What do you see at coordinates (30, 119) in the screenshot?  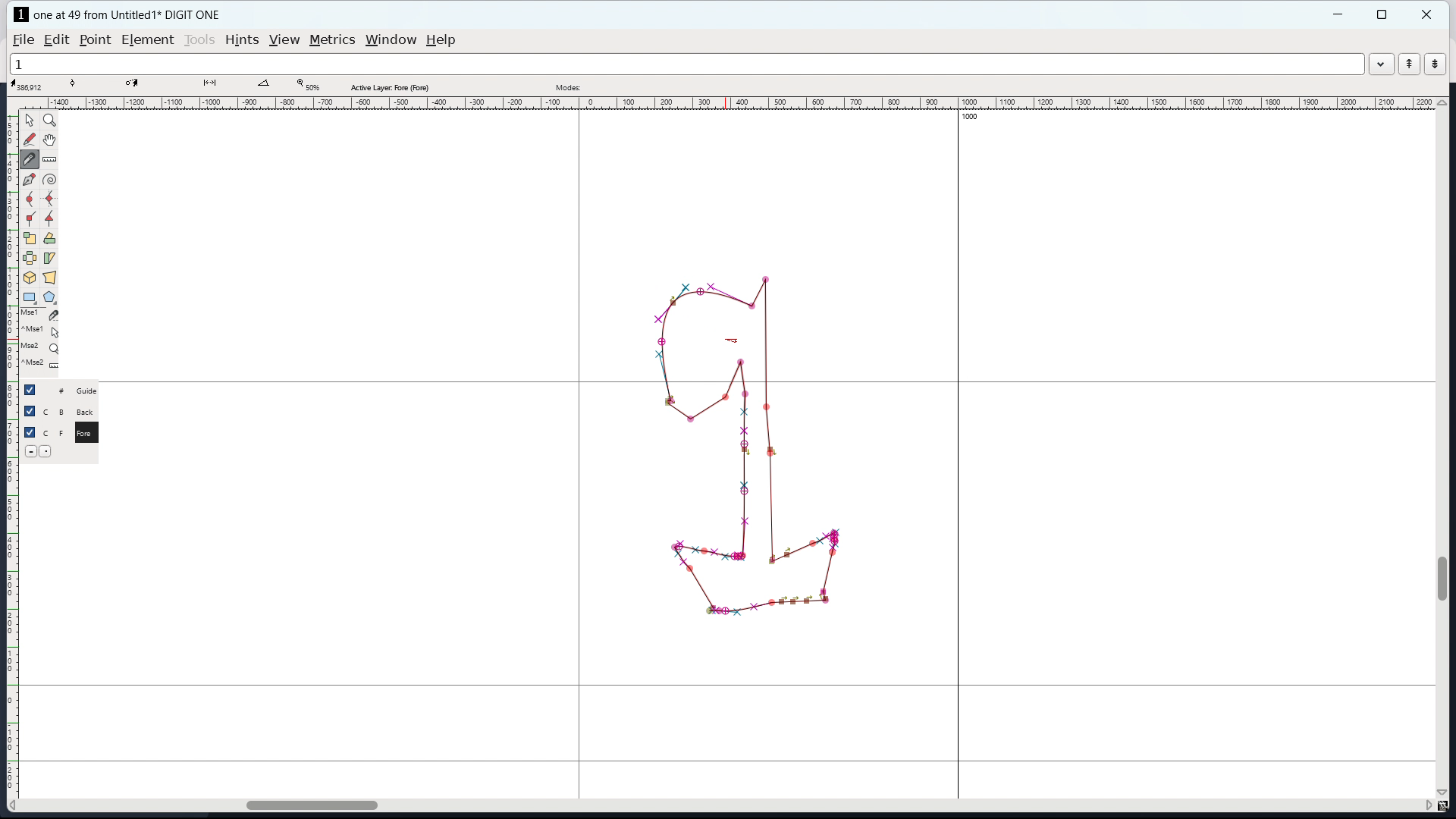 I see `pointer` at bounding box center [30, 119].